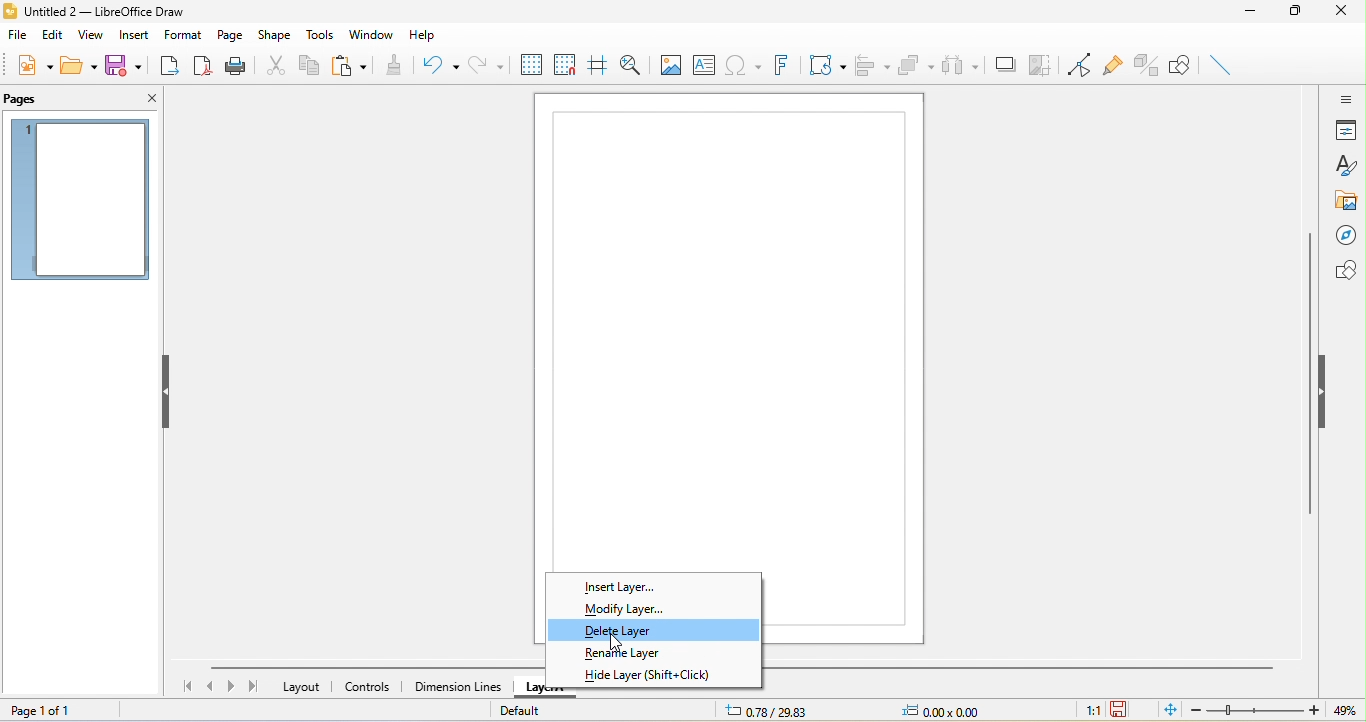  What do you see at coordinates (1004, 65) in the screenshot?
I see `shadow` at bounding box center [1004, 65].